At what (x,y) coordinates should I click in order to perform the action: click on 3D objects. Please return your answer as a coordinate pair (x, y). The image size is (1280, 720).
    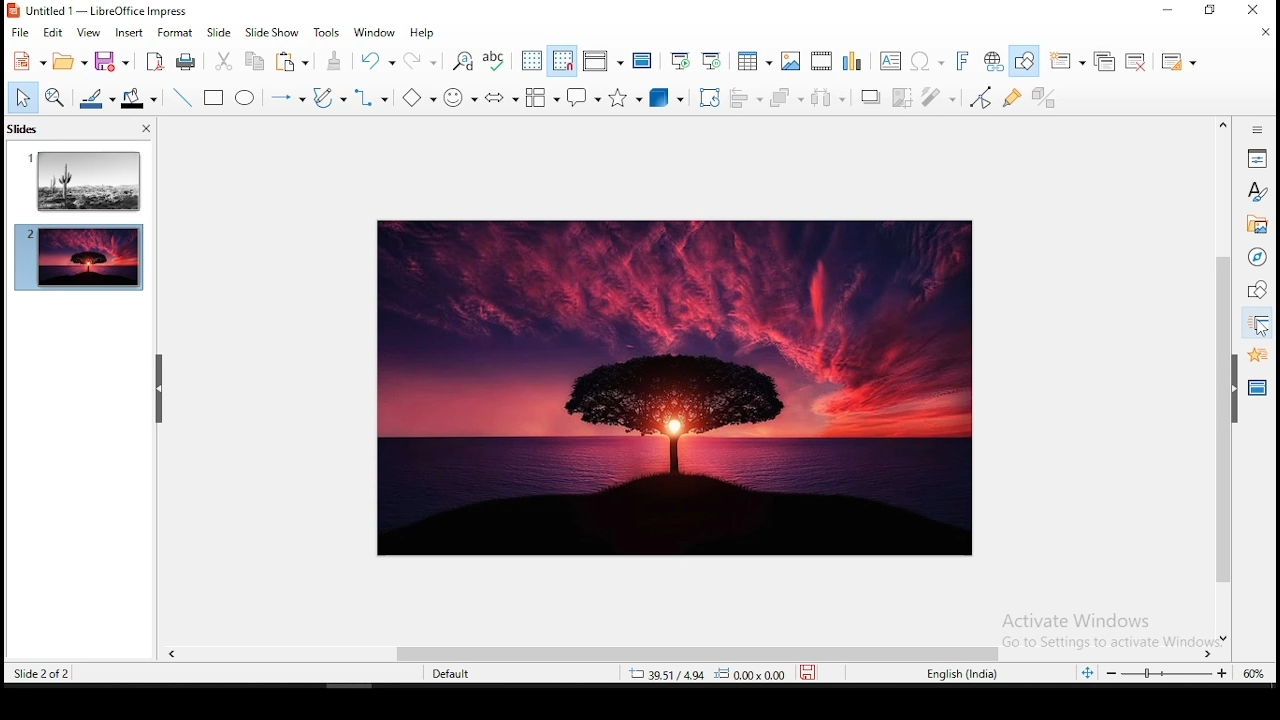
    Looking at the image, I should click on (664, 99).